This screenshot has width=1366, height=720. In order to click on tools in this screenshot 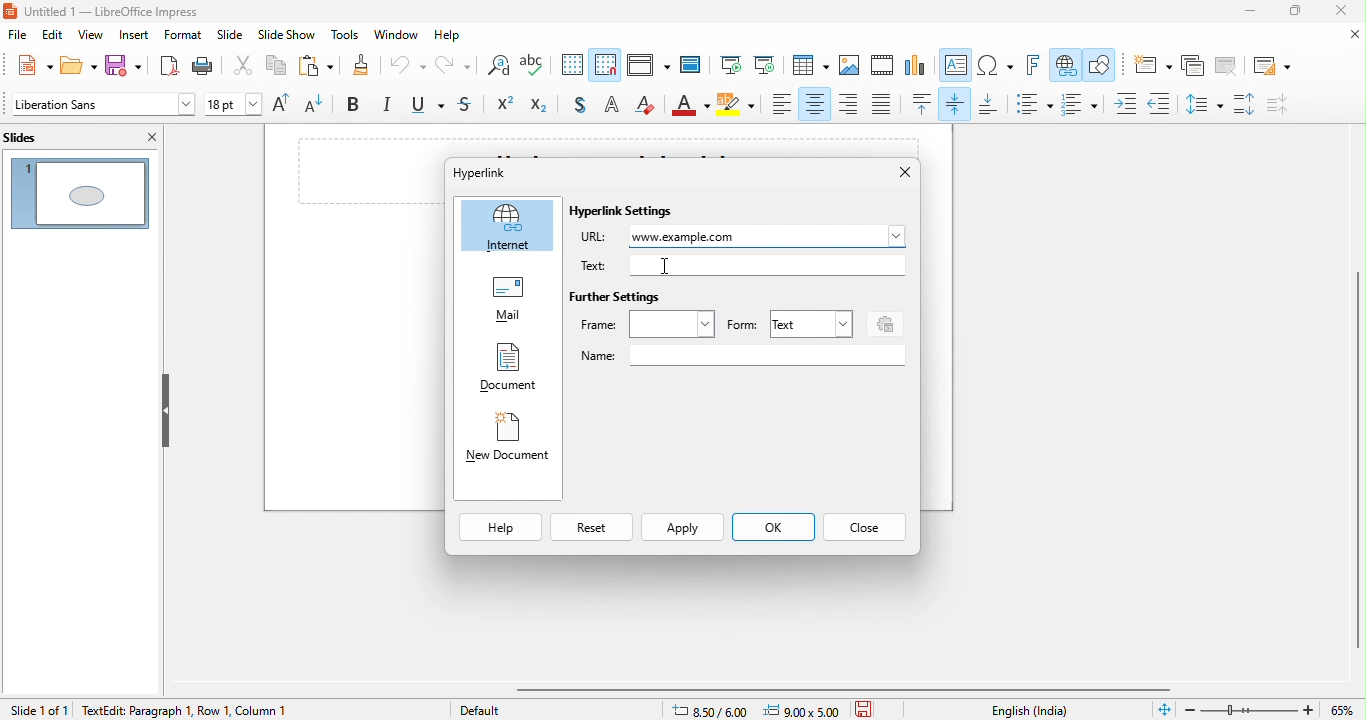, I will do `click(343, 36)`.